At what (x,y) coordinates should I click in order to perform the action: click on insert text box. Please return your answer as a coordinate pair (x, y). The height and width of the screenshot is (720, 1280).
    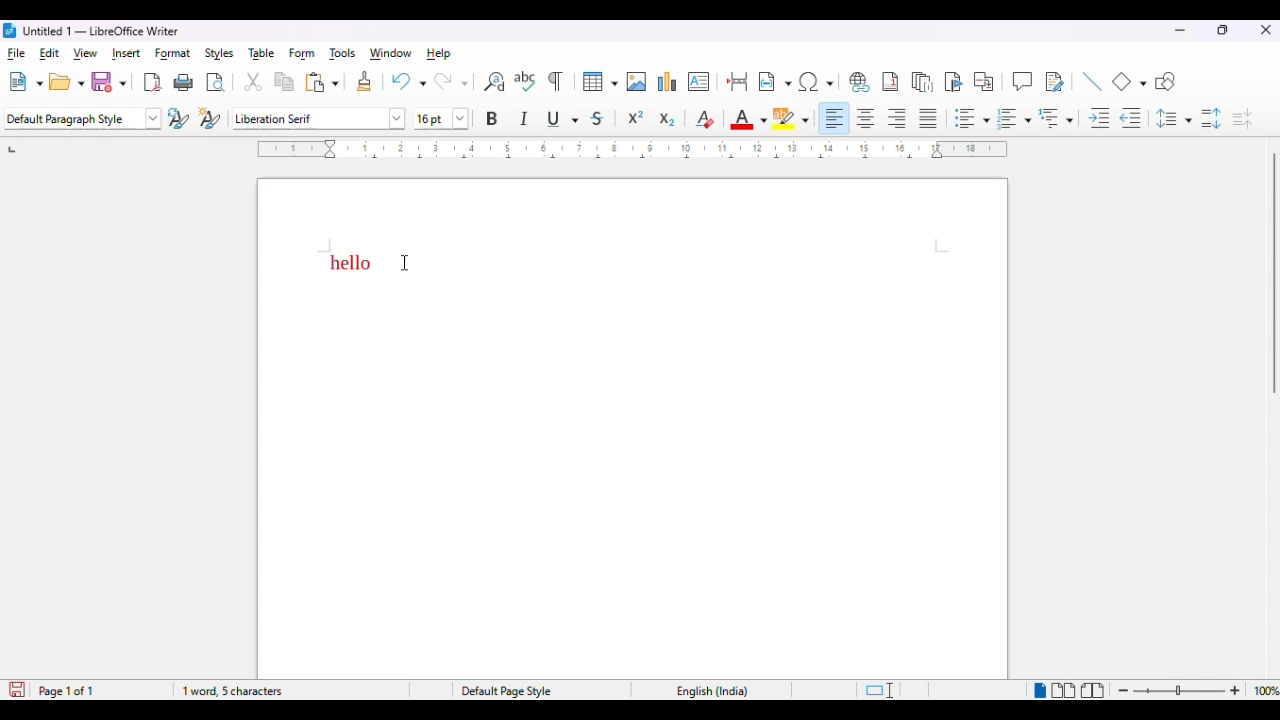
    Looking at the image, I should click on (698, 81).